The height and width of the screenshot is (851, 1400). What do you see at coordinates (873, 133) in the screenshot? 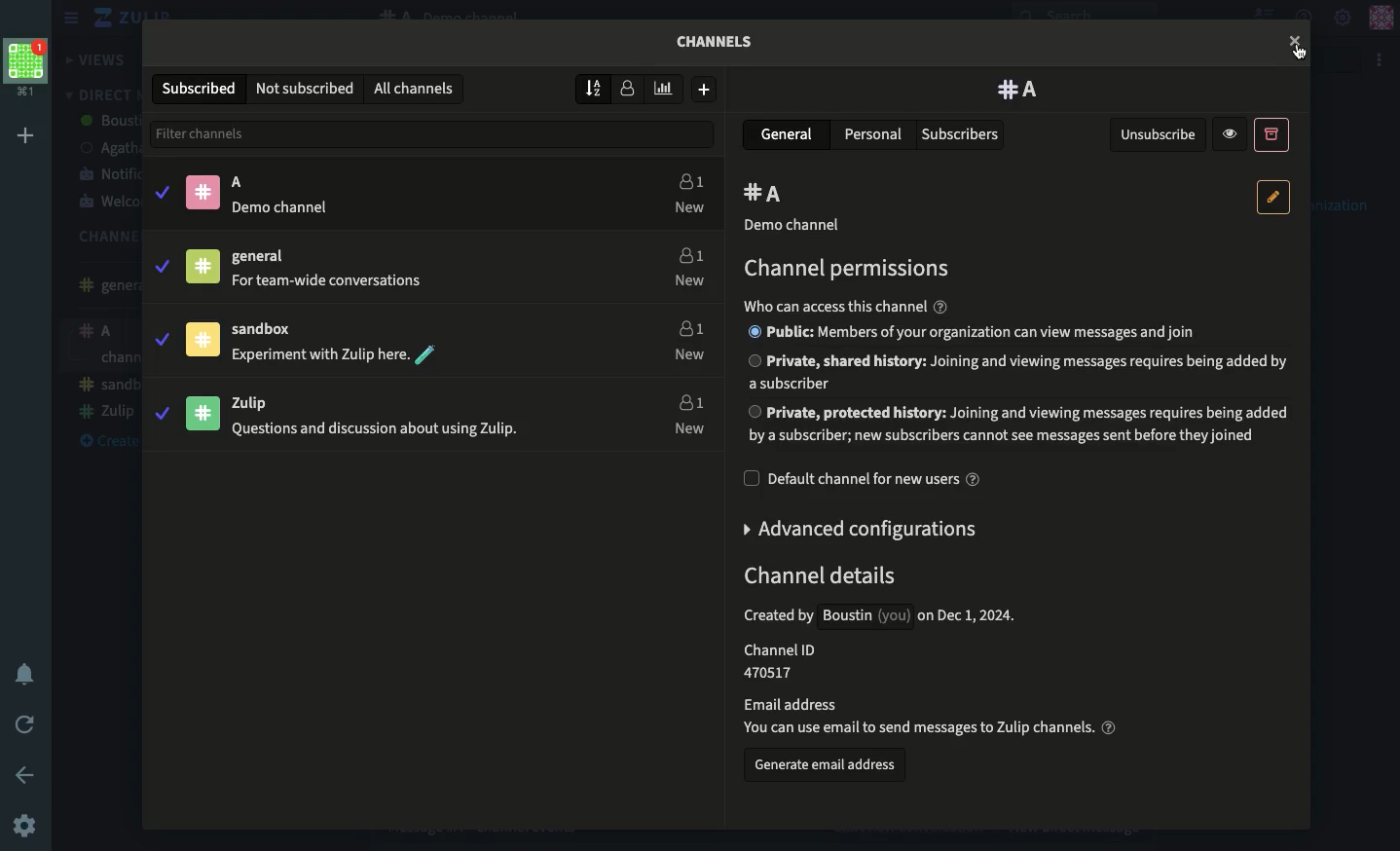
I see `Personal` at bounding box center [873, 133].